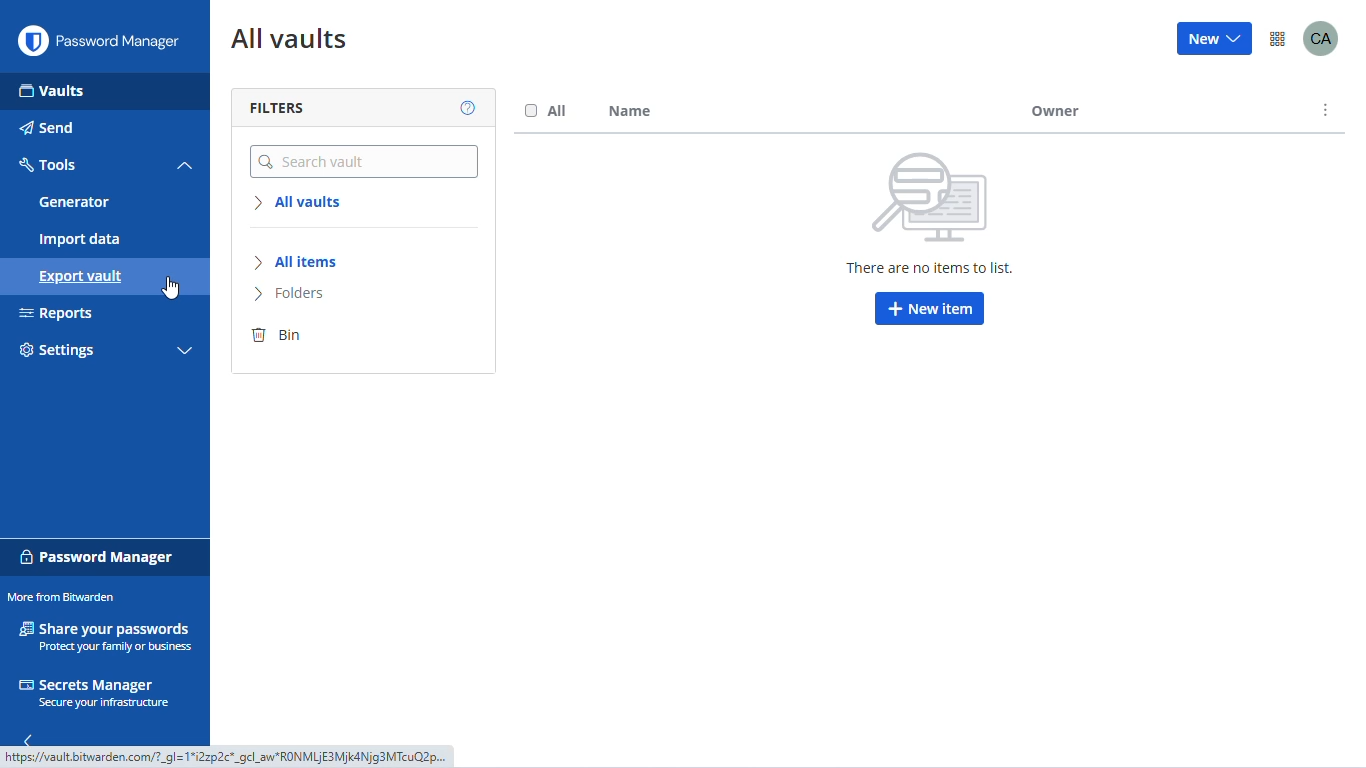 The height and width of the screenshot is (768, 1366). What do you see at coordinates (74, 202) in the screenshot?
I see `generator` at bounding box center [74, 202].